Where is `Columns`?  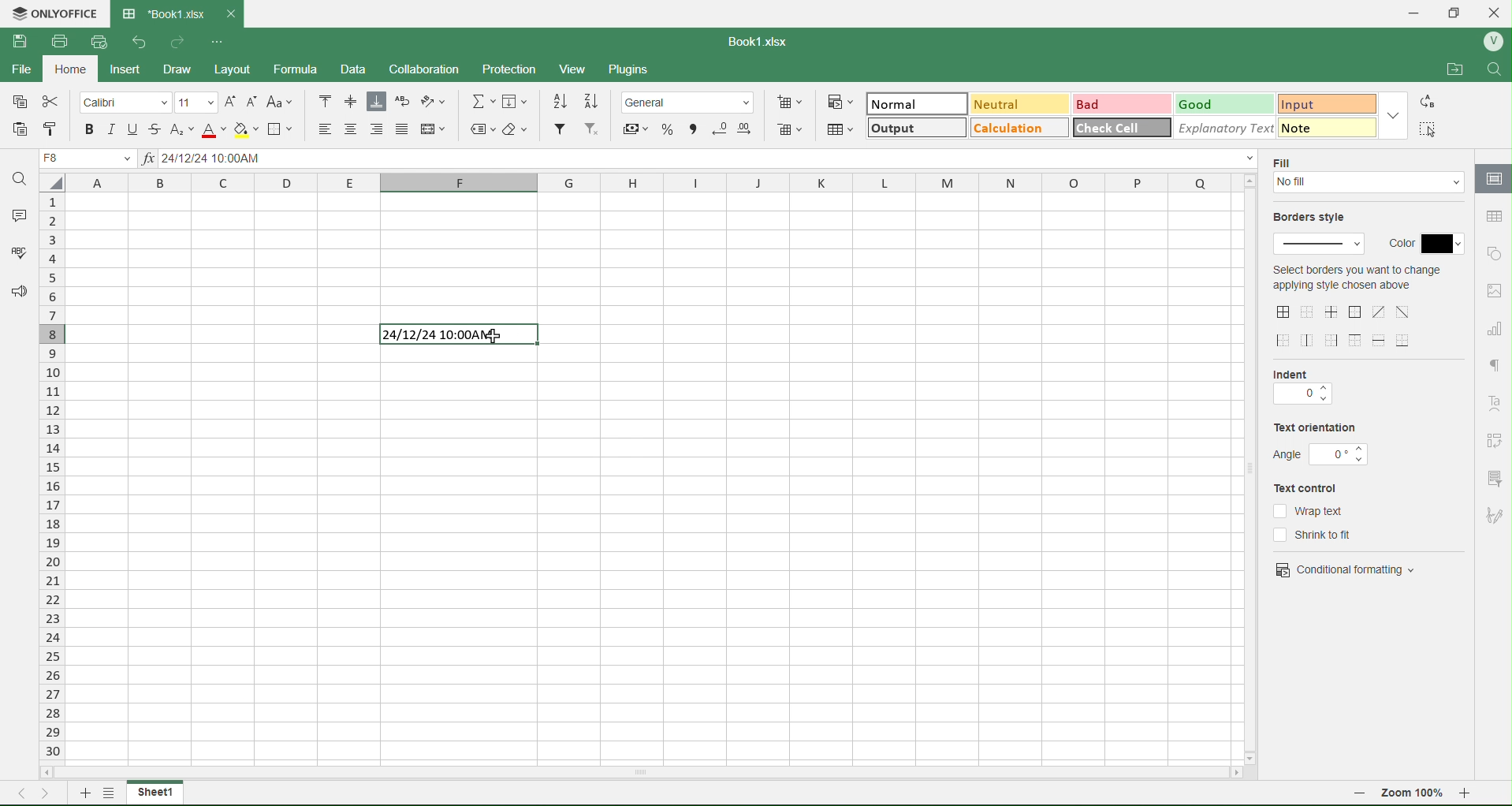 Columns is located at coordinates (650, 185).